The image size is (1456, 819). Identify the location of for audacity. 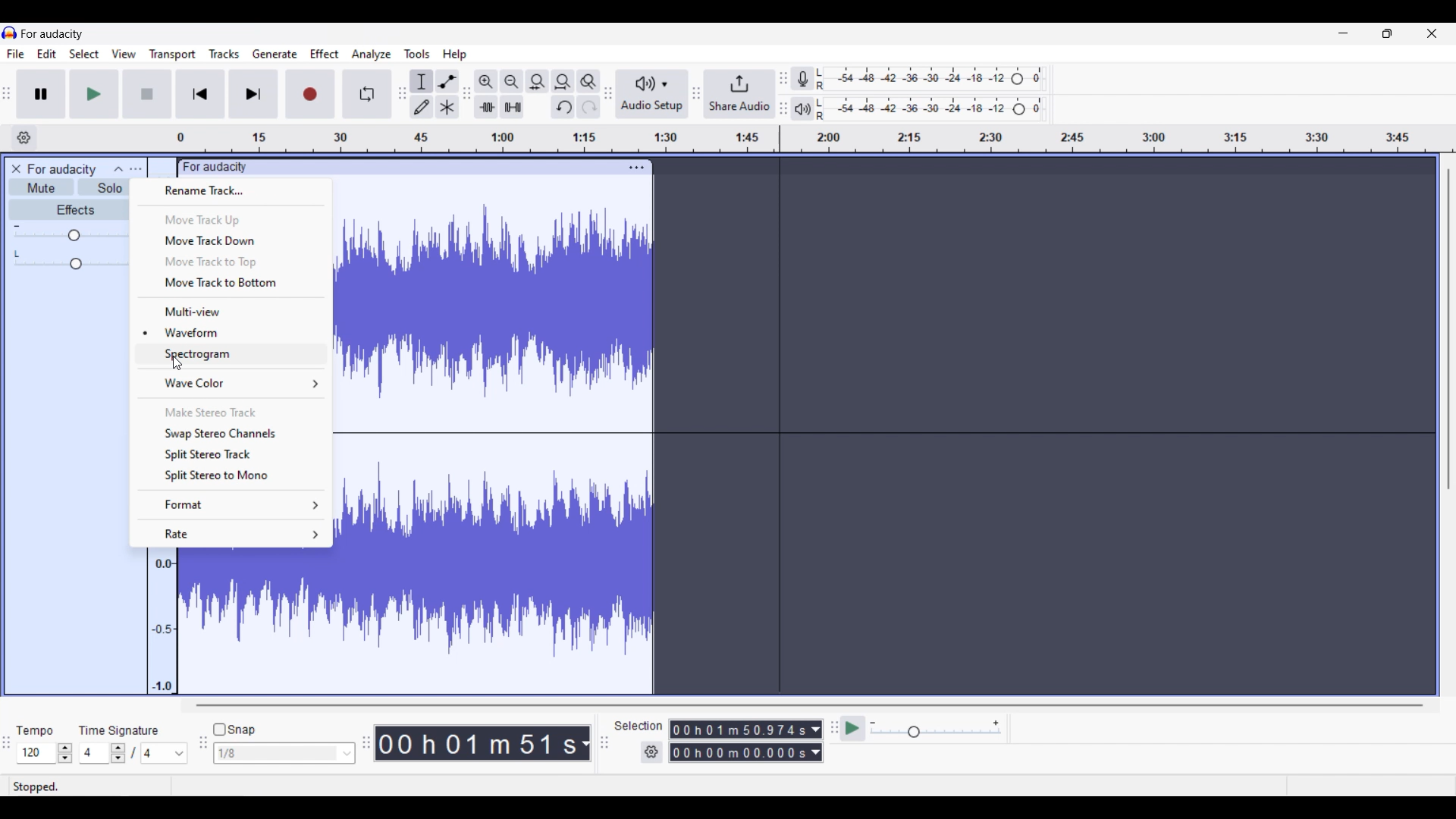
(214, 167).